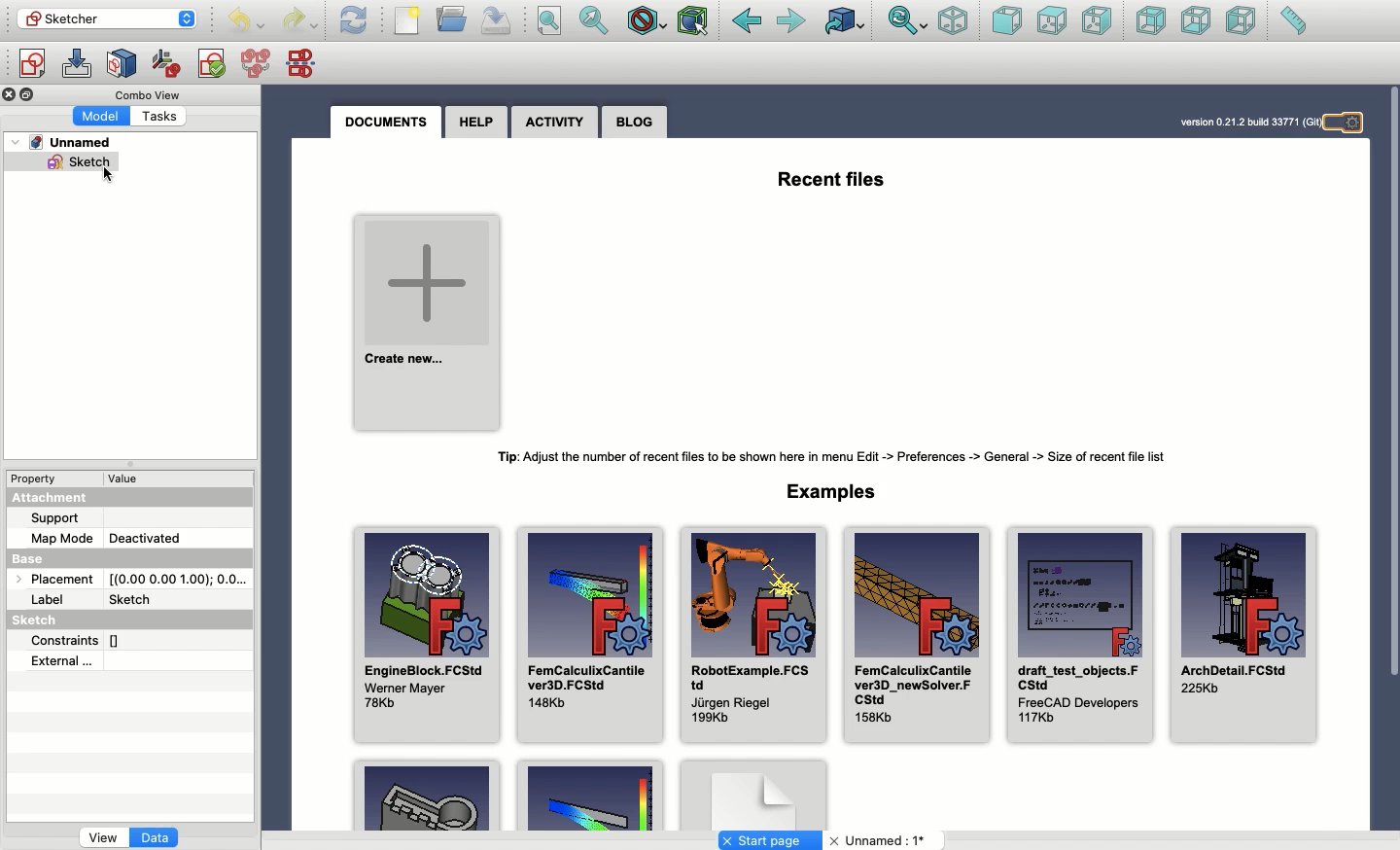 This screenshot has width=1400, height=850. I want to click on Tasks, so click(164, 115).